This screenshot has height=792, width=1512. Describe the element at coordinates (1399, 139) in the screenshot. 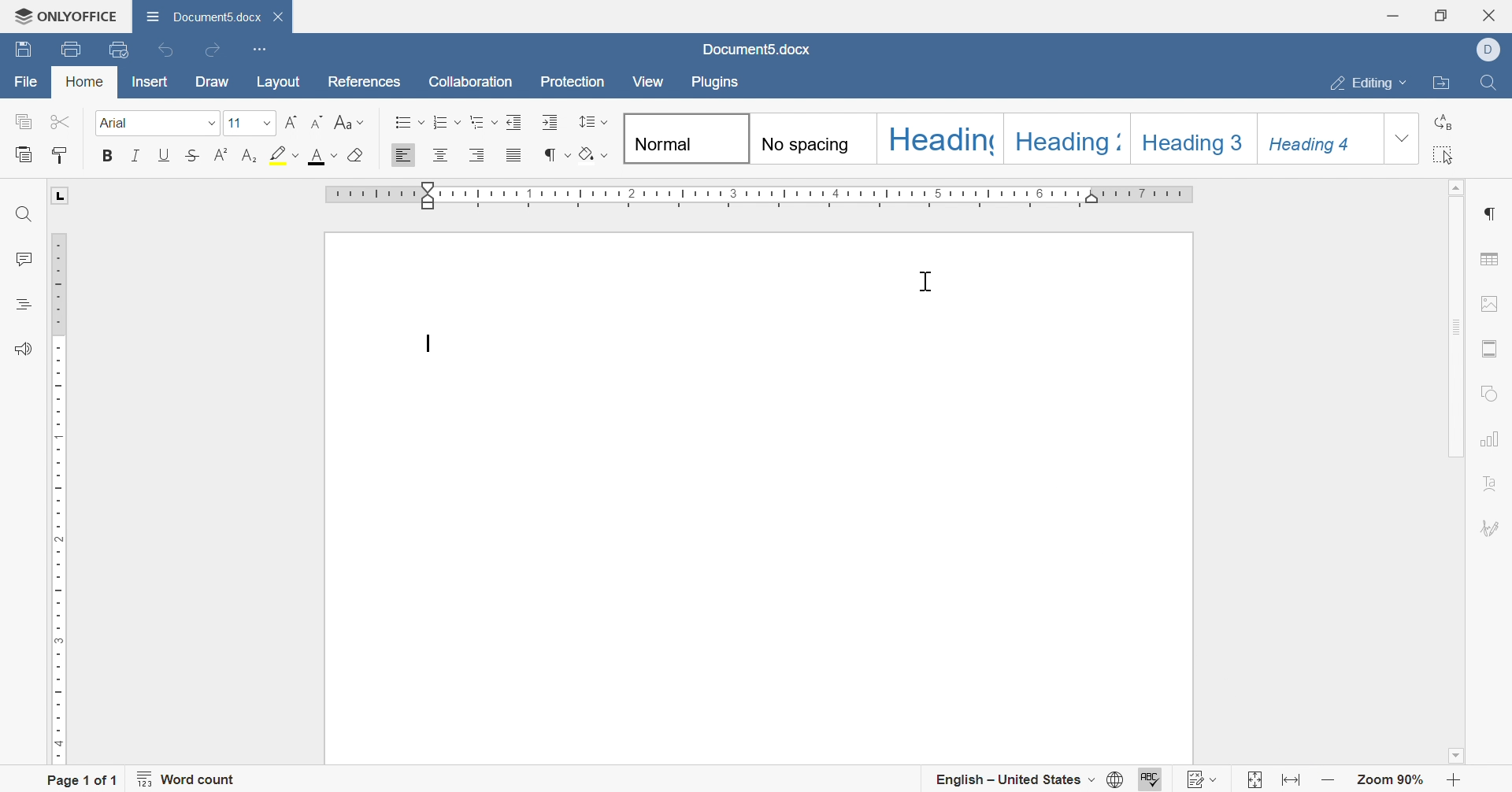

I see `drop down` at that location.